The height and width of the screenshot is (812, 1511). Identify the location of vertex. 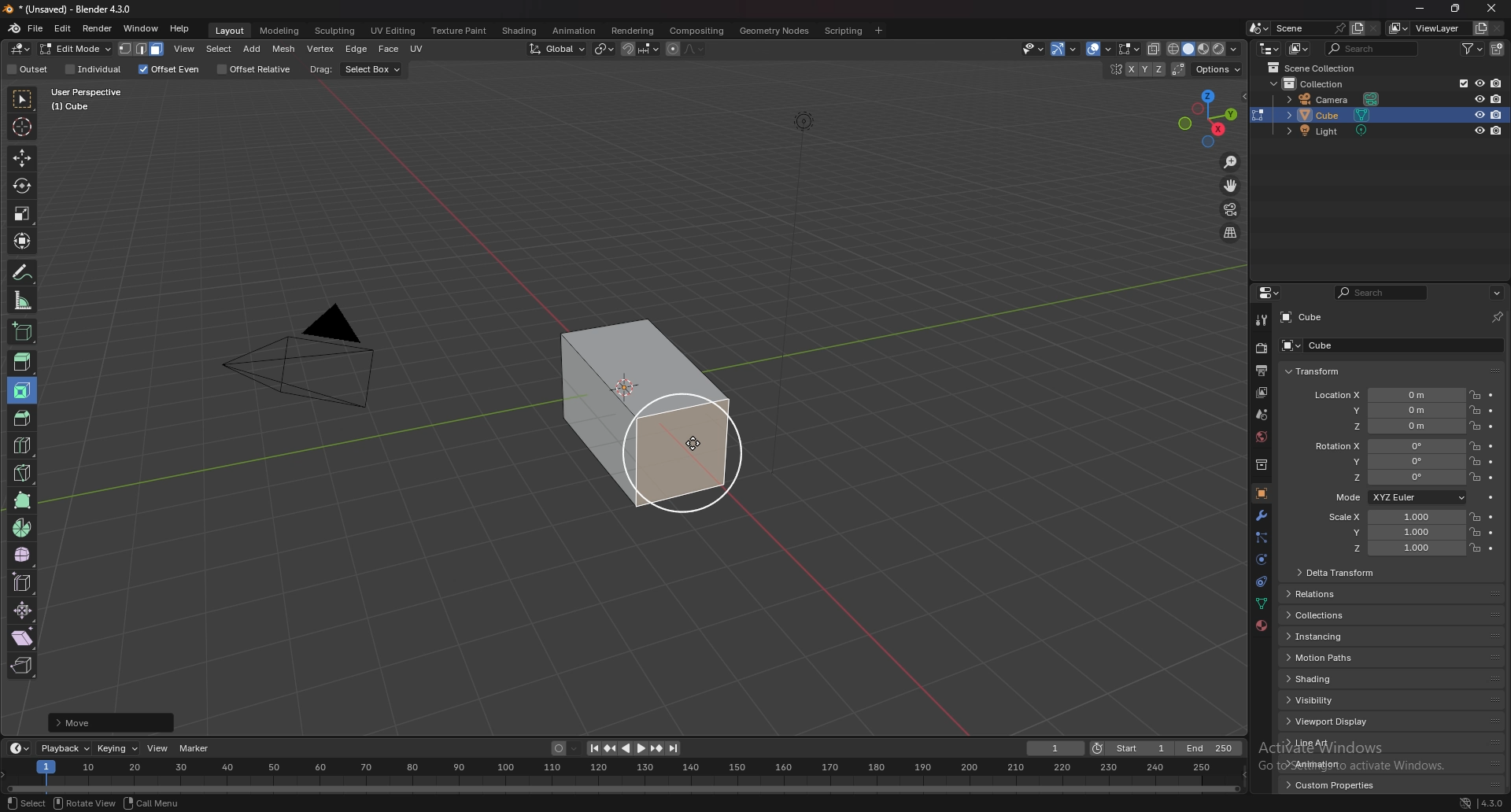
(320, 49).